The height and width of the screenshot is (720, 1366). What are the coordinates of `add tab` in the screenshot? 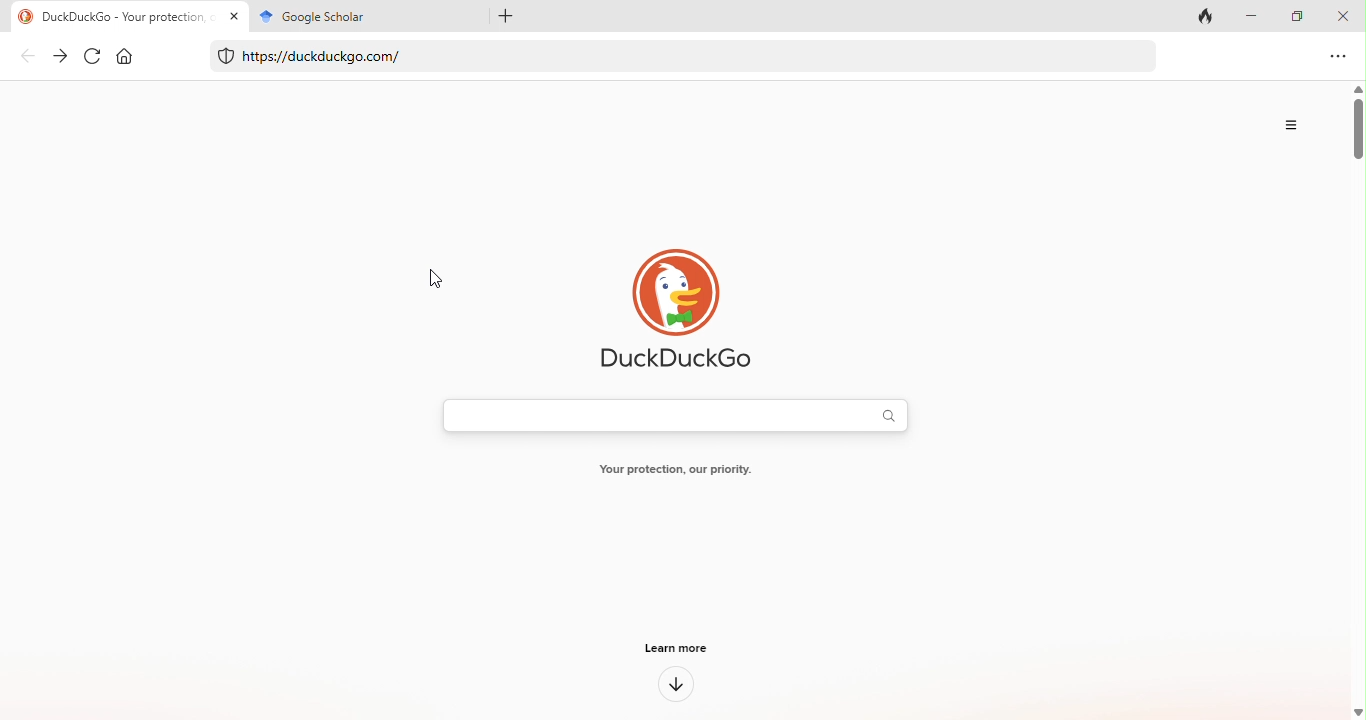 It's located at (501, 15).